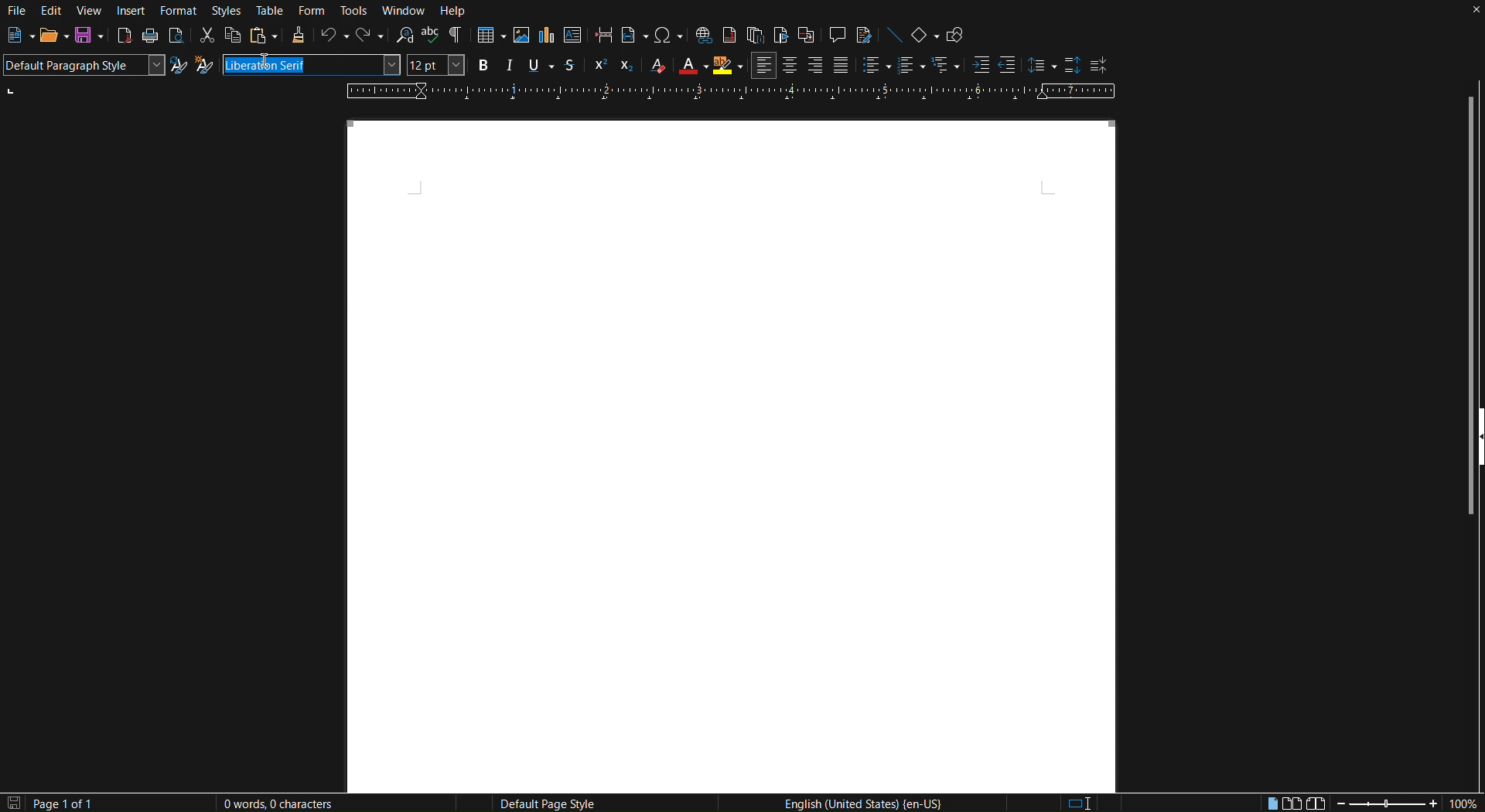 This screenshot has height=812, width=1485. I want to click on Insert Field, so click(632, 36).